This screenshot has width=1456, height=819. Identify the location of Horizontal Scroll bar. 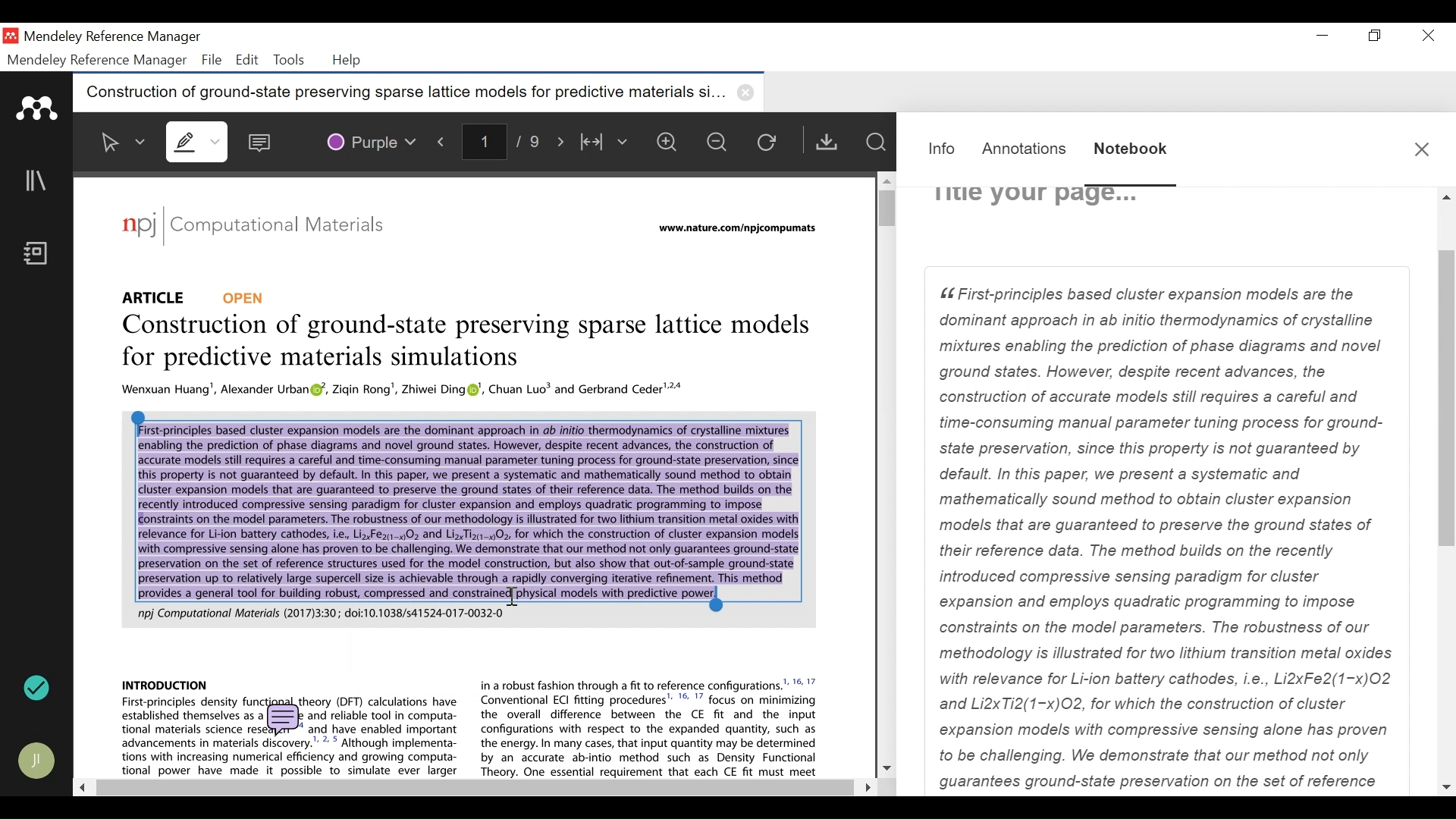
(472, 788).